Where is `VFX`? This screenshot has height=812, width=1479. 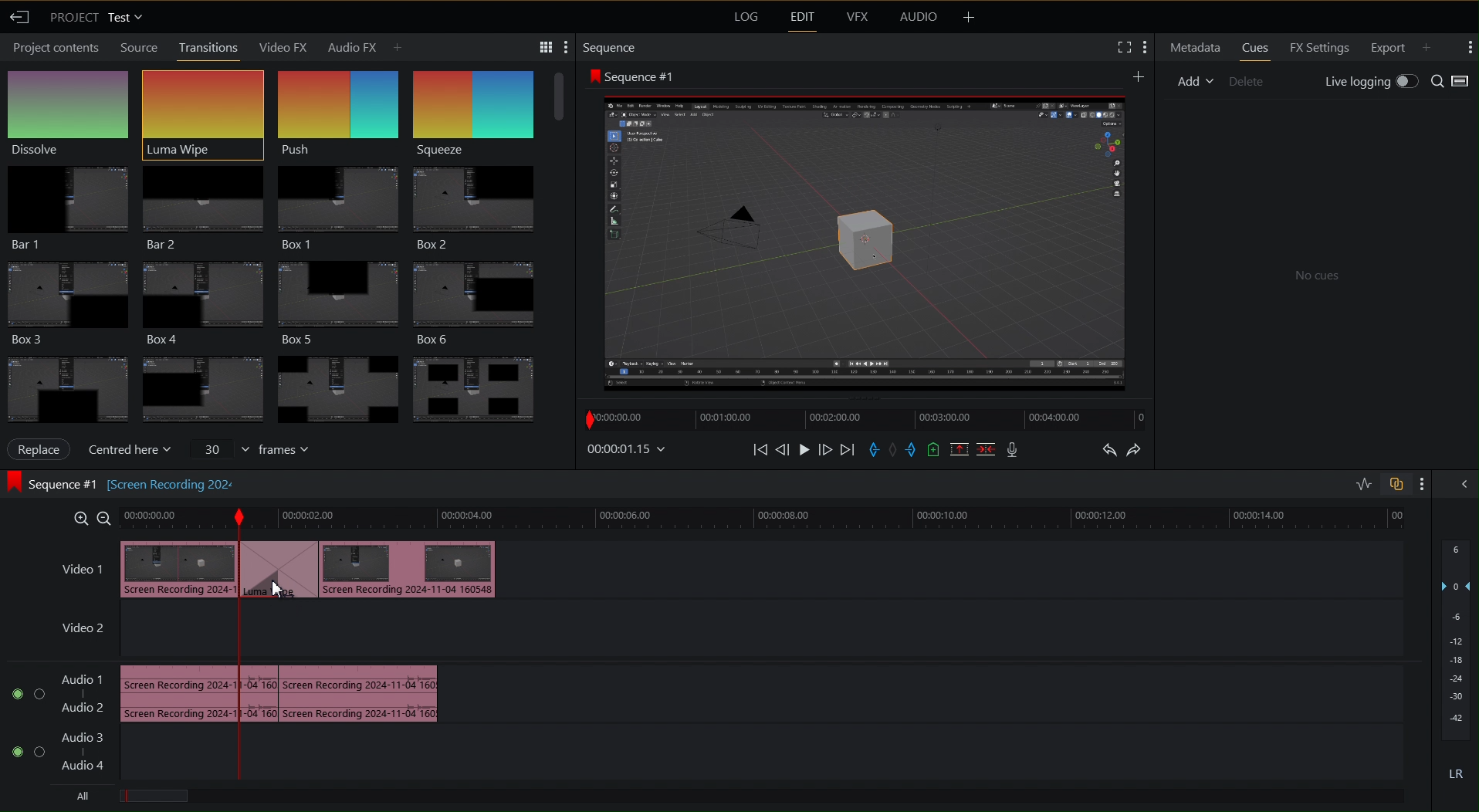 VFX is located at coordinates (856, 20).